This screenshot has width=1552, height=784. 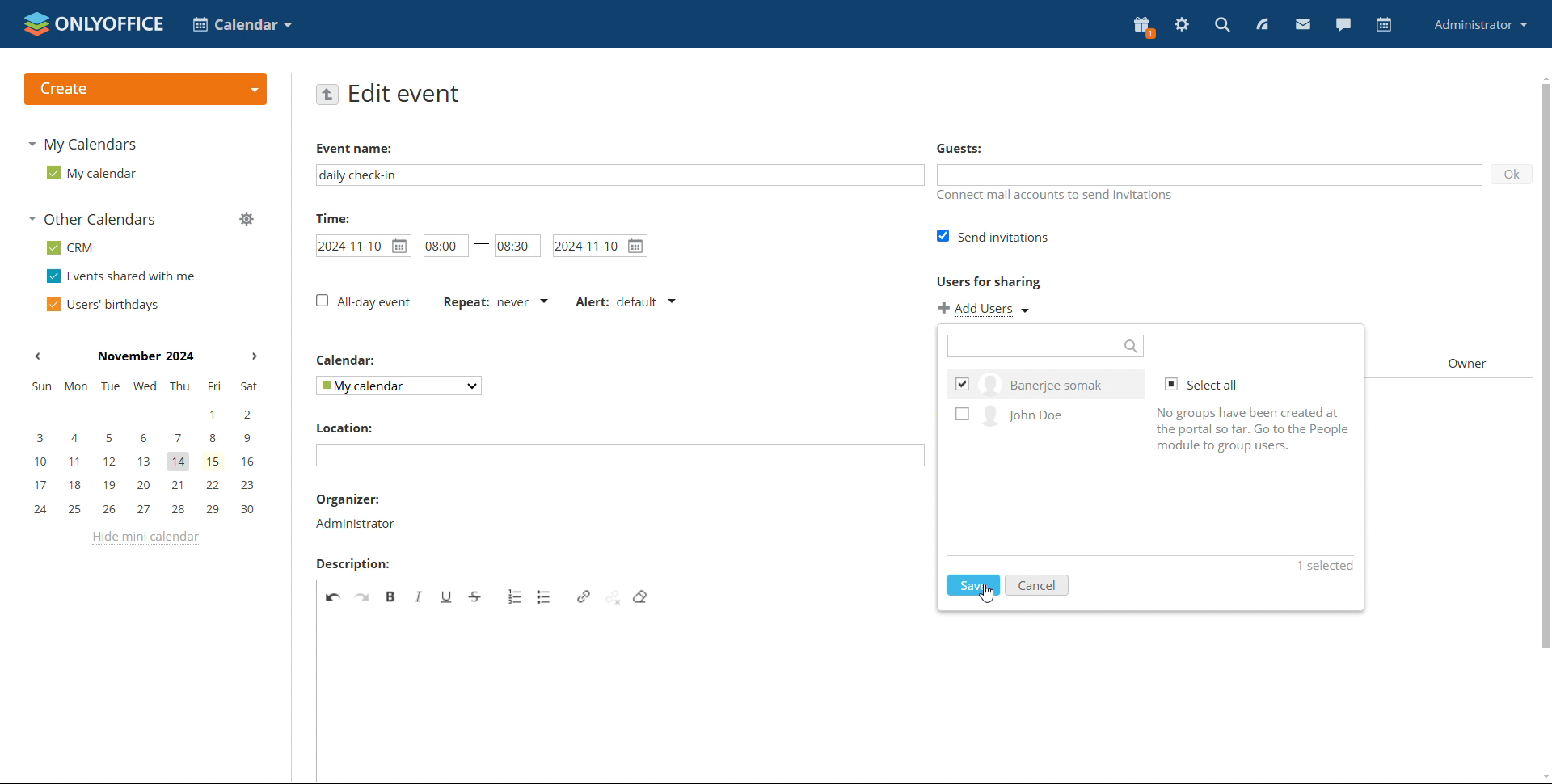 I want to click on settings, so click(x=1182, y=25).